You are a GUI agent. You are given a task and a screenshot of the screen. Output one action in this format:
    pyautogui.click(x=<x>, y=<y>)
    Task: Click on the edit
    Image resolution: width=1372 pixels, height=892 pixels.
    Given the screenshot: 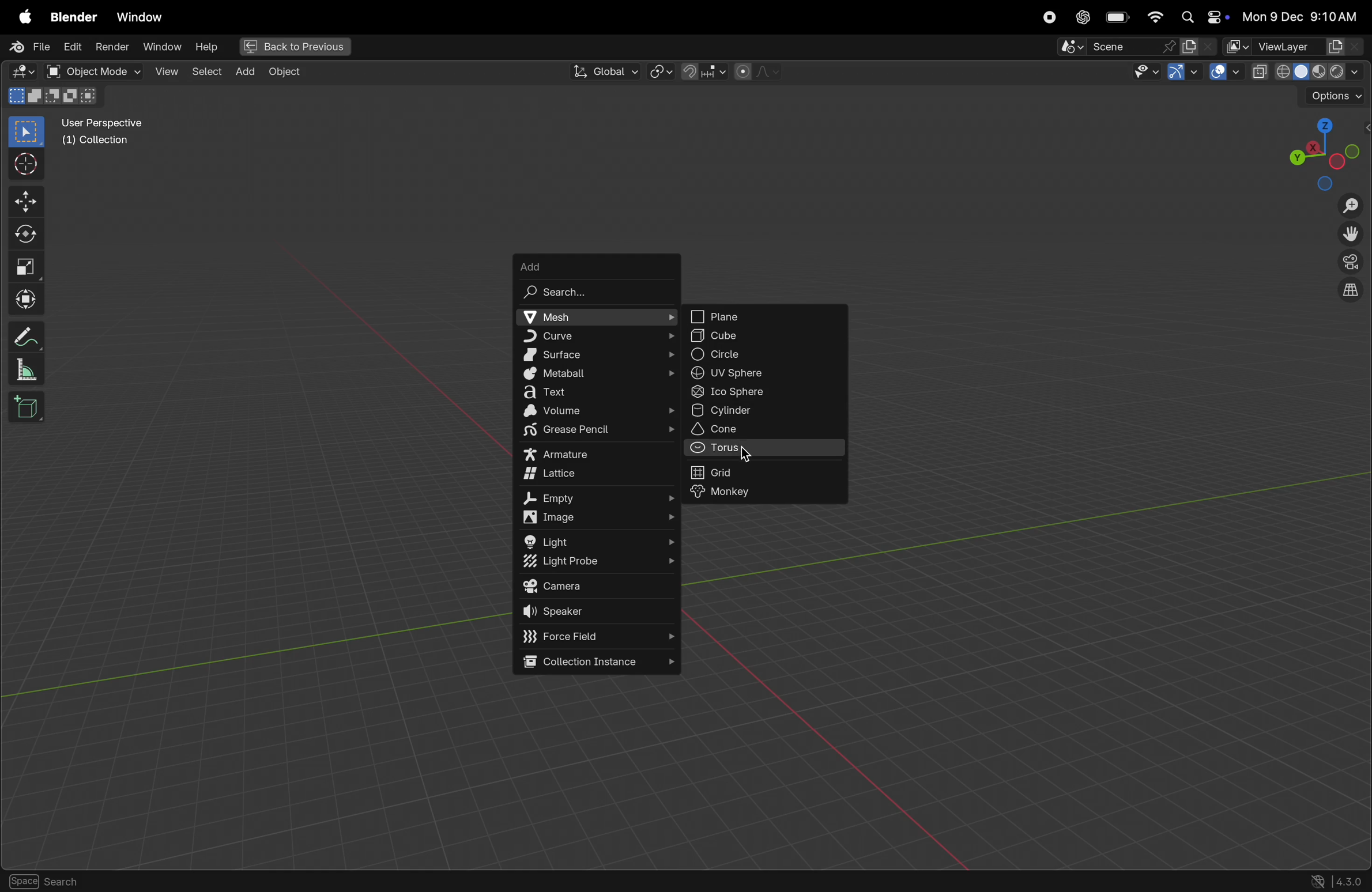 What is the action you would take?
    pyautogui.click(x=70, y=46)
    